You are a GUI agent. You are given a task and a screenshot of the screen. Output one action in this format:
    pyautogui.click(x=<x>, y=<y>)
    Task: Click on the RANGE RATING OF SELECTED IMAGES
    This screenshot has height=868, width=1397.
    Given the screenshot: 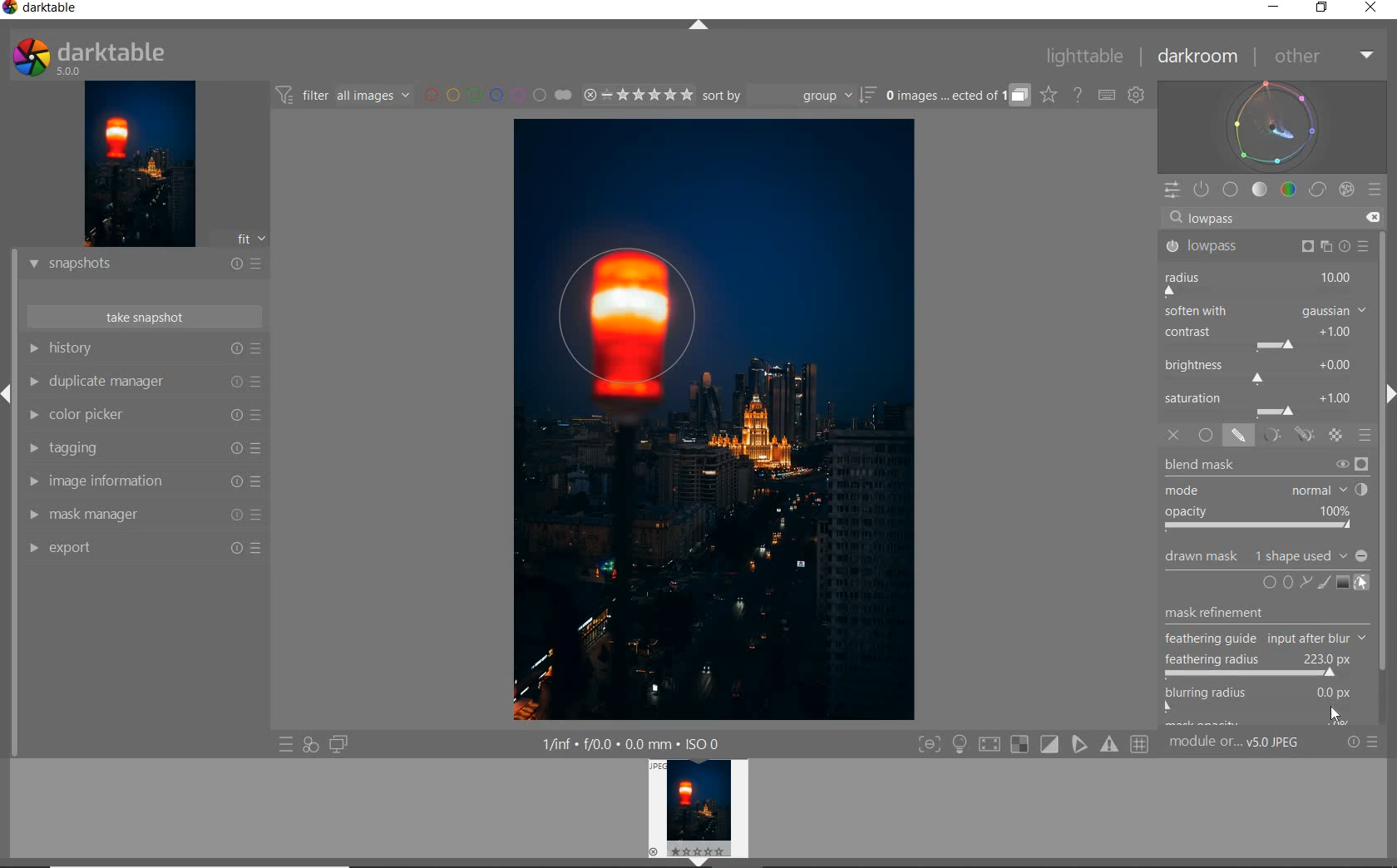 What is the action you would take?
    pyautogui.click(x=635, y=96)
    